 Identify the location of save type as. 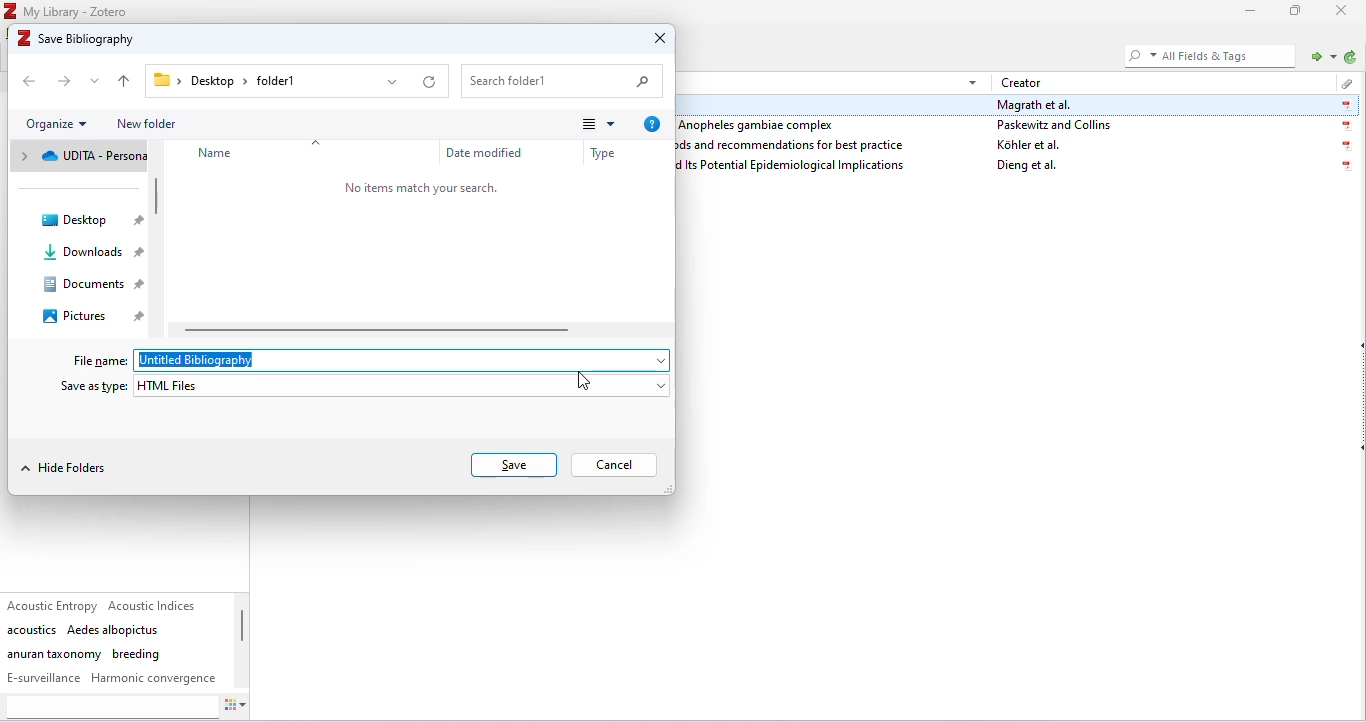
(96, 388).